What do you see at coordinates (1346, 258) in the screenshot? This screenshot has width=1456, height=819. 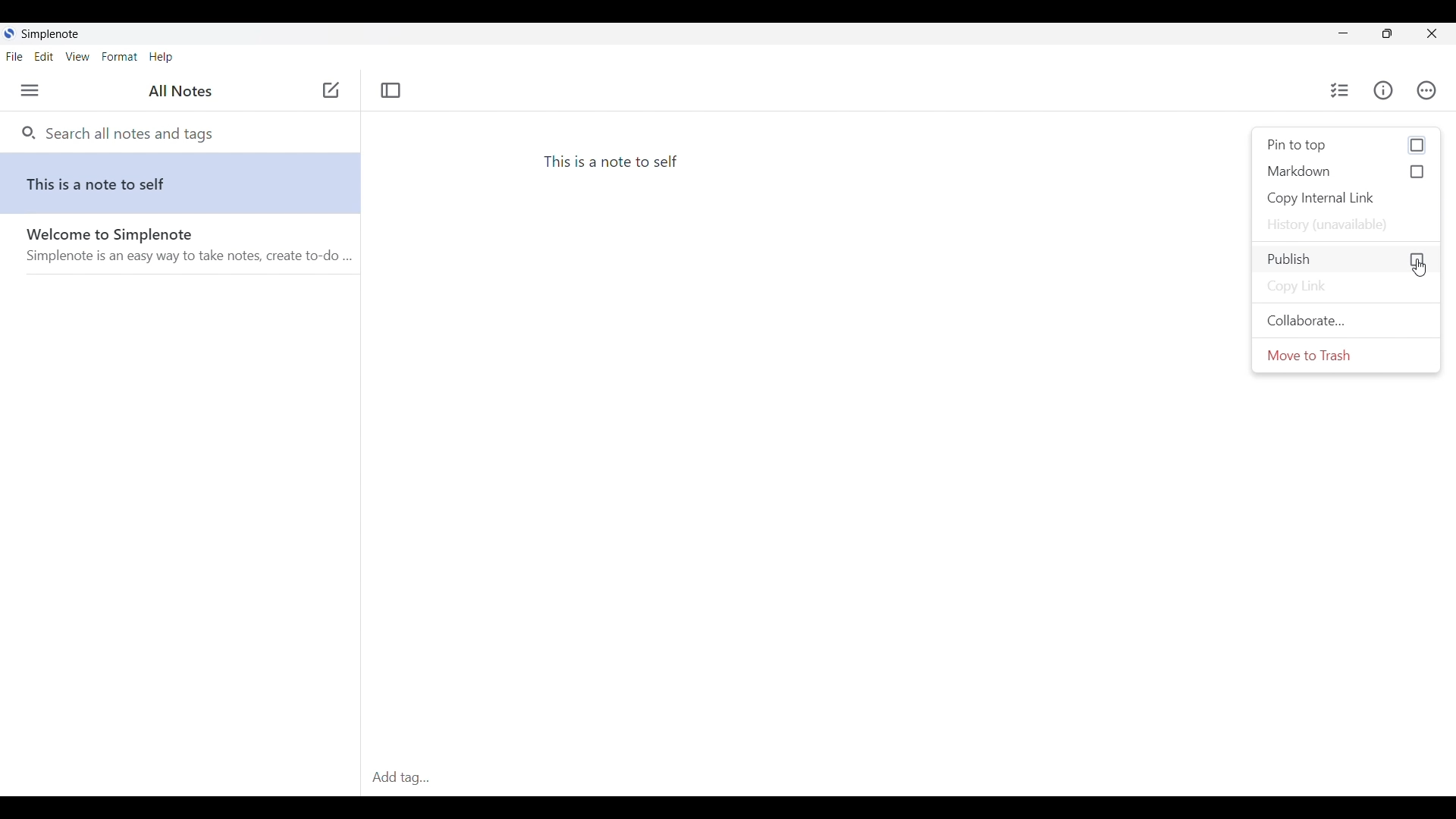 I see `publish` at bounding box center [1346, 258].